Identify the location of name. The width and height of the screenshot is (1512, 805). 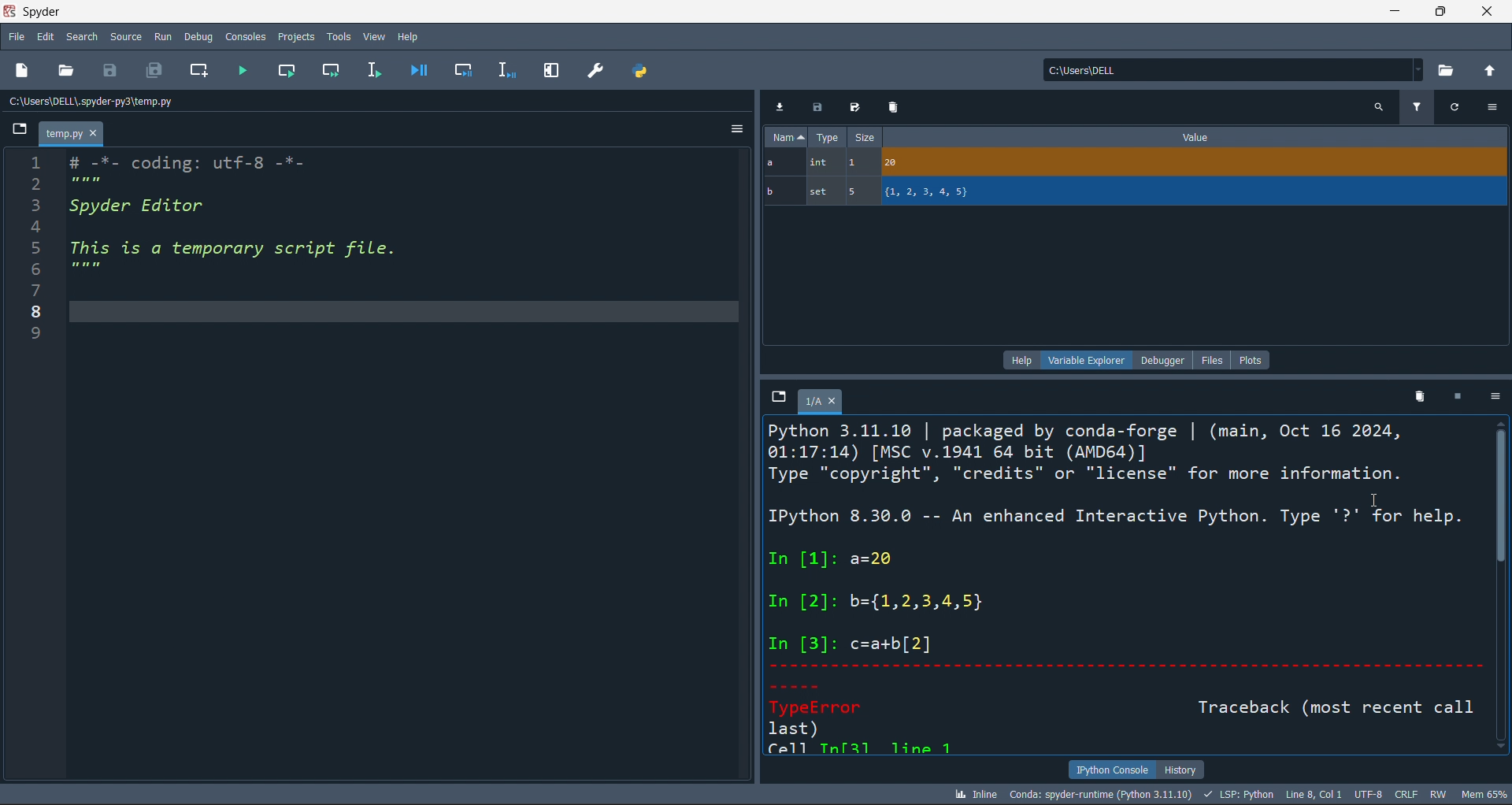
(784, 137).